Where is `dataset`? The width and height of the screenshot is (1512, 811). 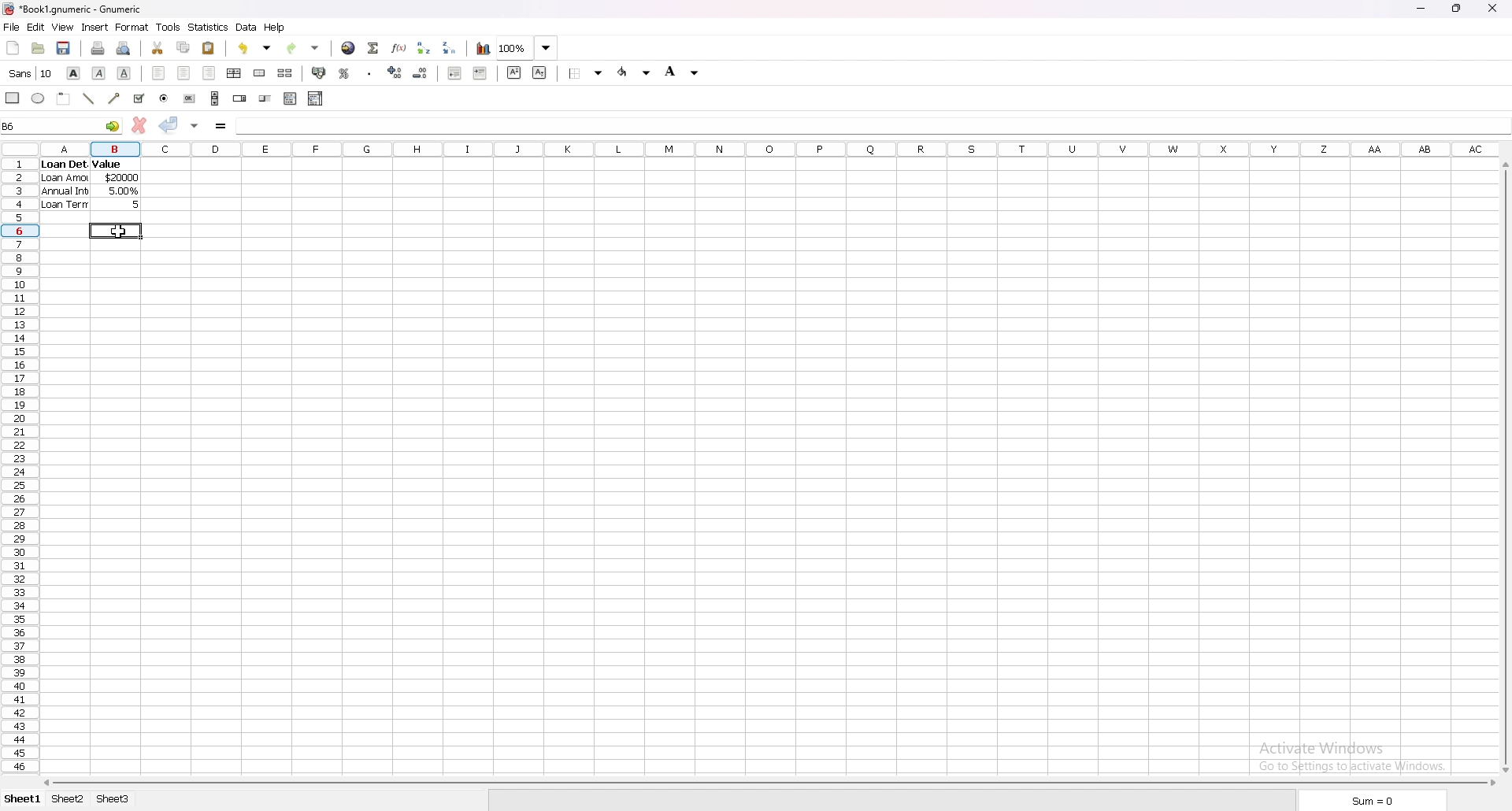 dataset is located at coordinates (90, 184).